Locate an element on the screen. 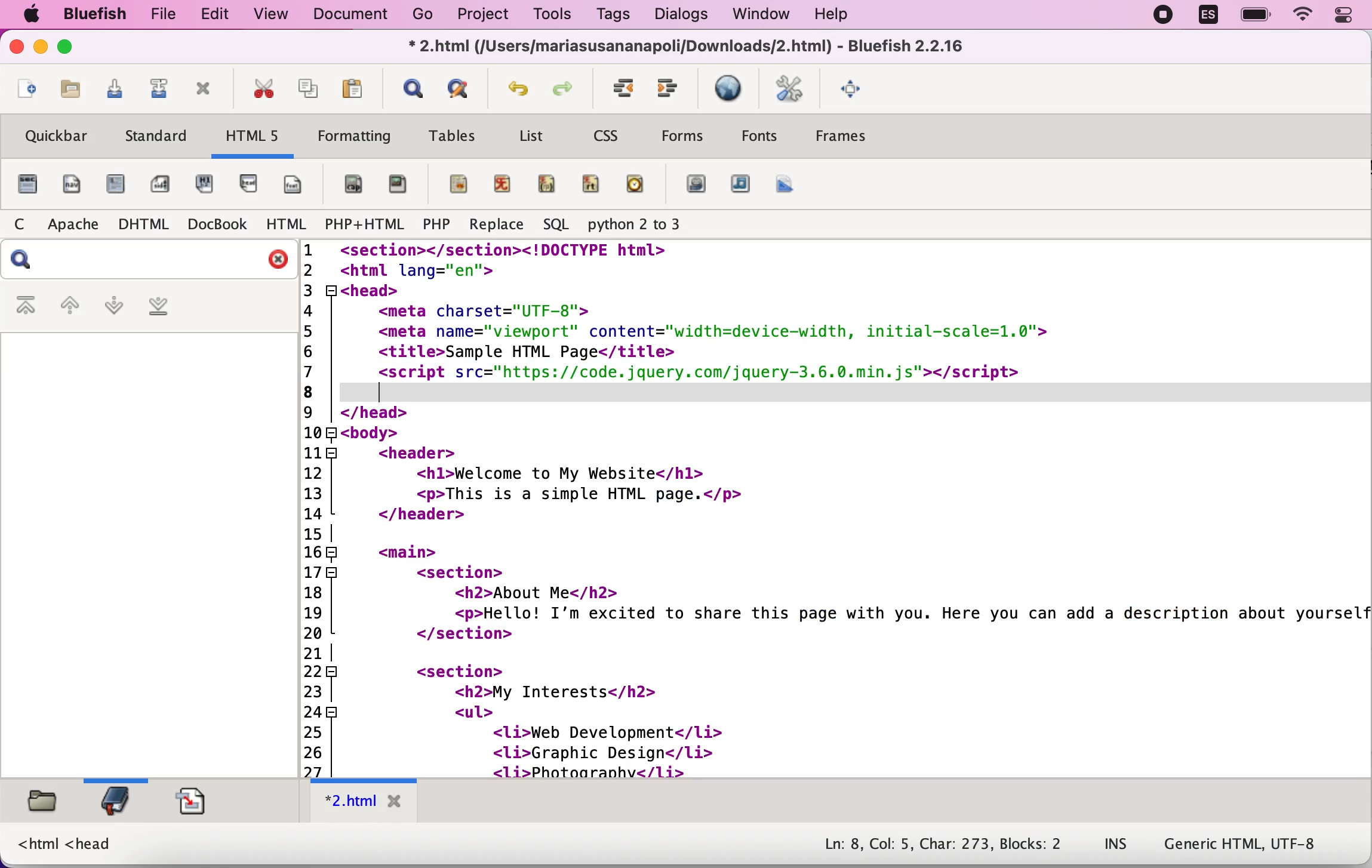 The height and width of the screenshot is (868, 1372). dhtml is located at coordinates (145, 226).